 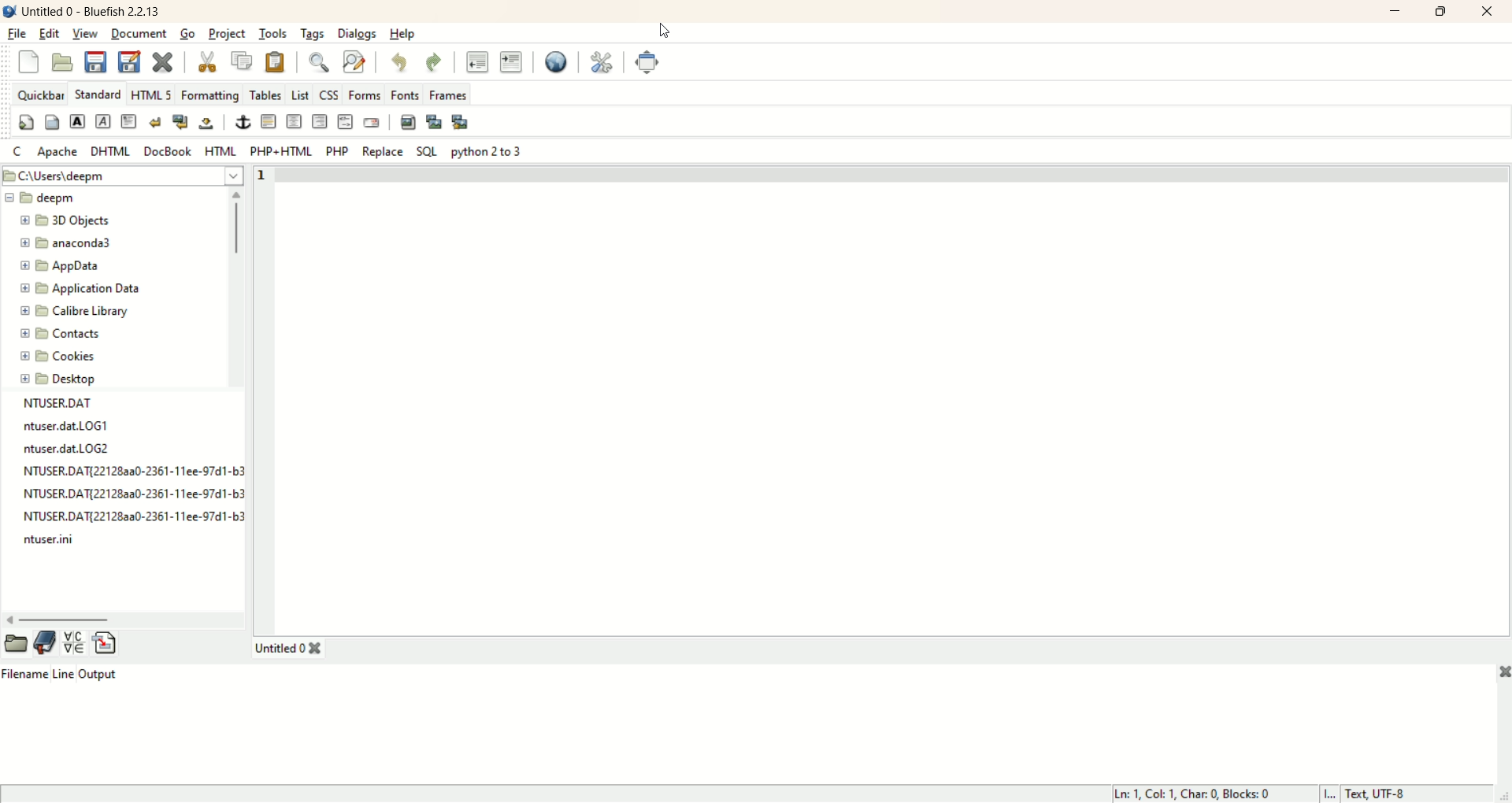 I want to click on anaconda3, so click(x=65, y=243).